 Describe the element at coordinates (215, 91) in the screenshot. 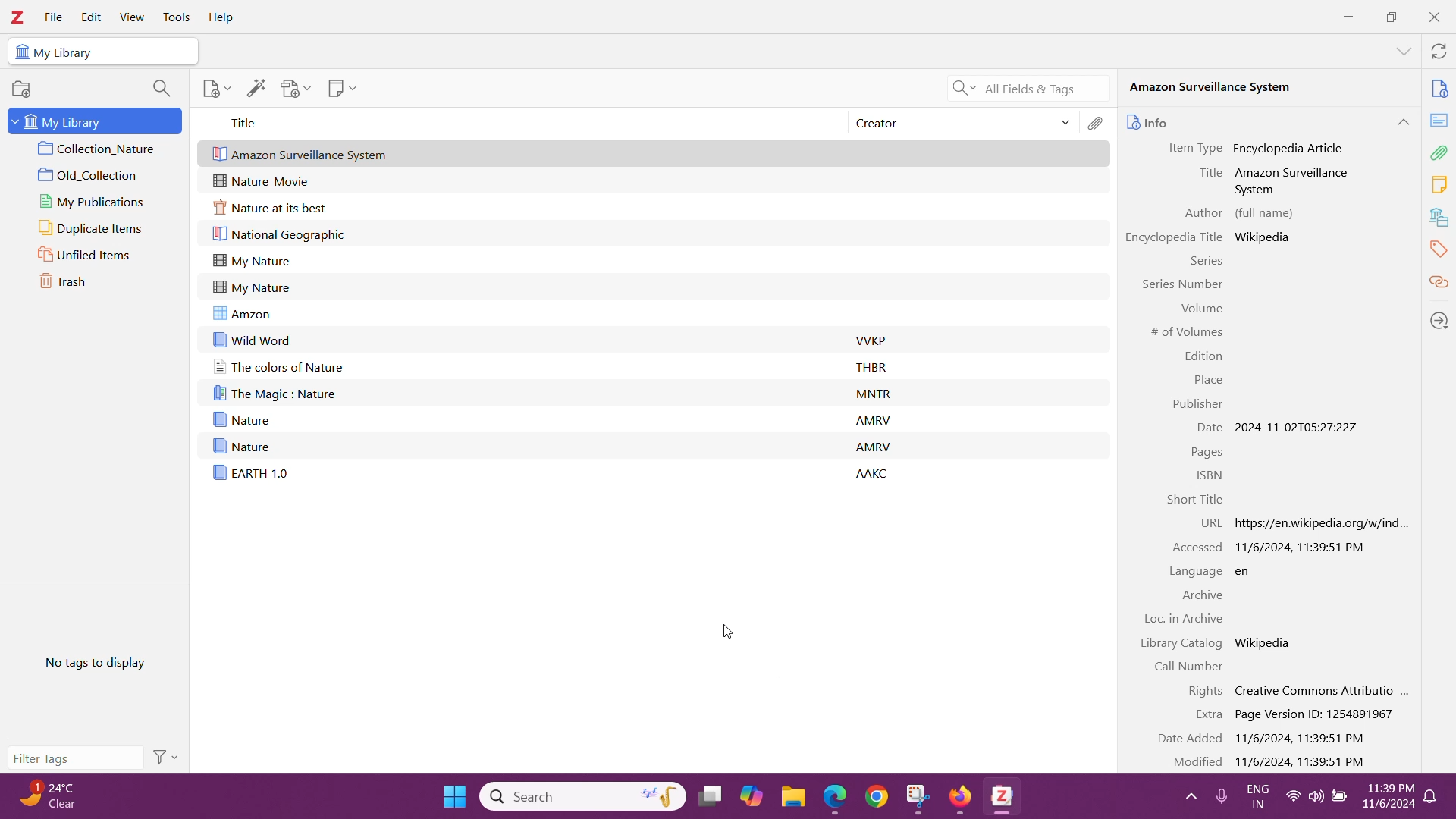

I see `Add Item` at that location.